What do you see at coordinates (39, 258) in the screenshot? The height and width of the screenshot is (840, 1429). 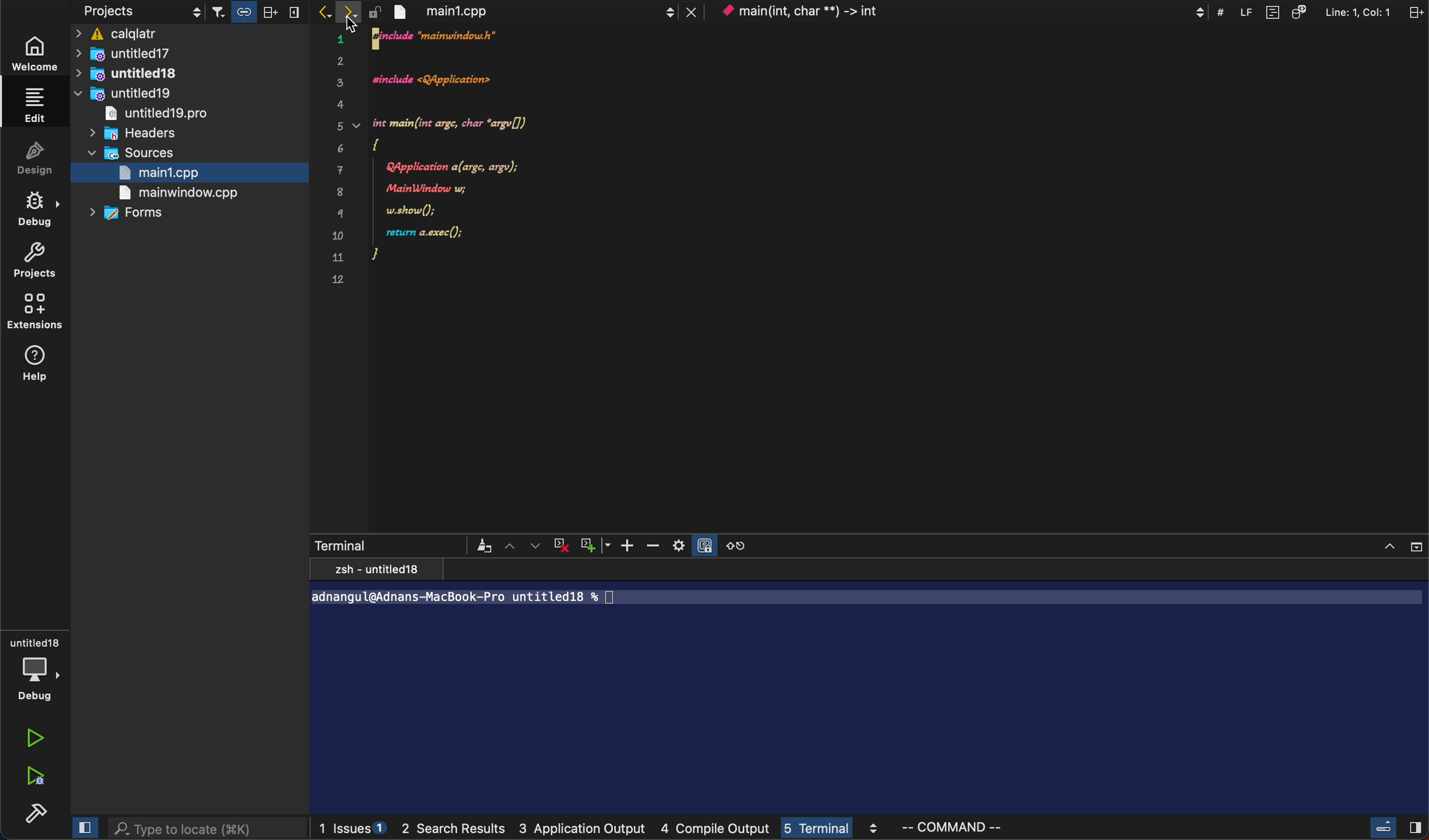 I see `projects` at bounding box center [39, 258].